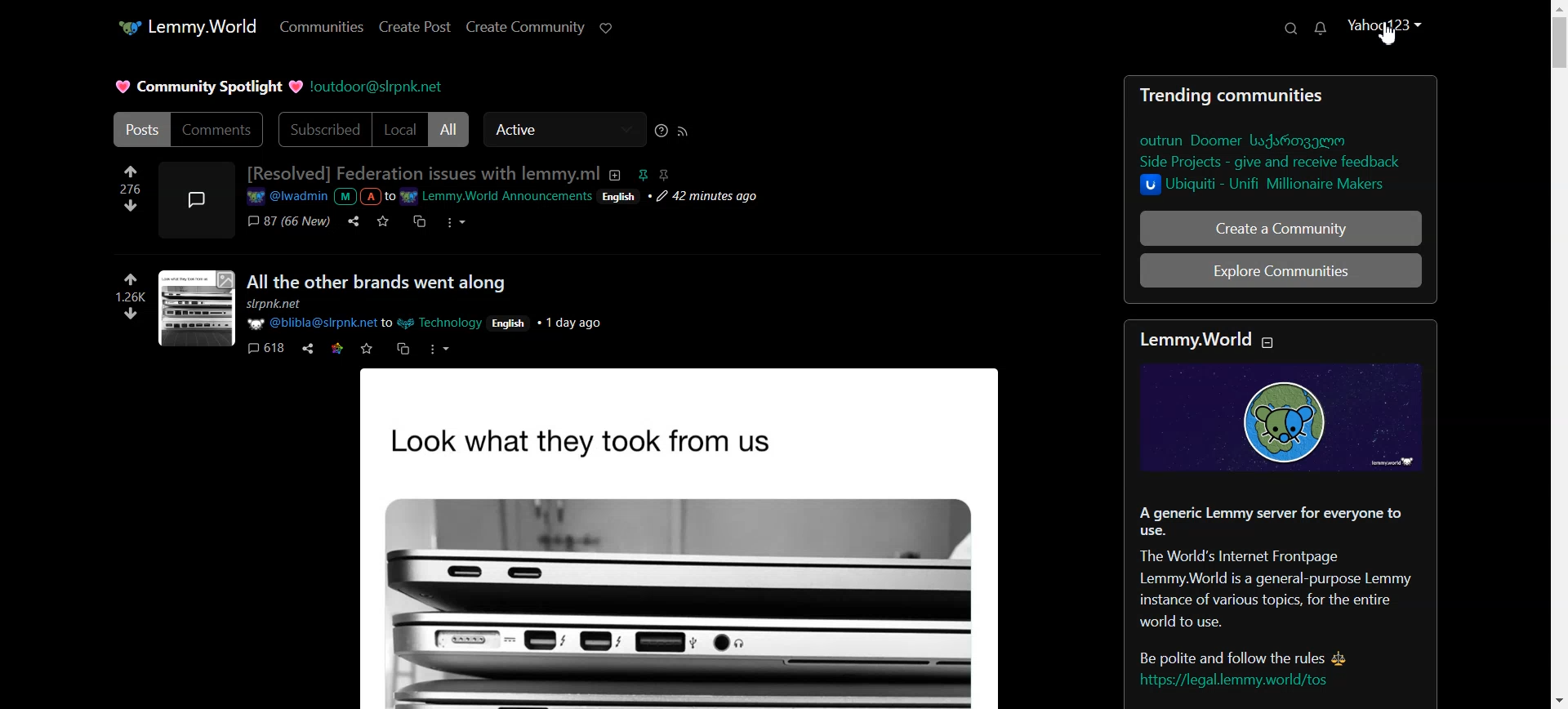 The image size is (1568, 709). Describe the element at coordinates (309, 349) in the screenshot. I see `share` at that location.